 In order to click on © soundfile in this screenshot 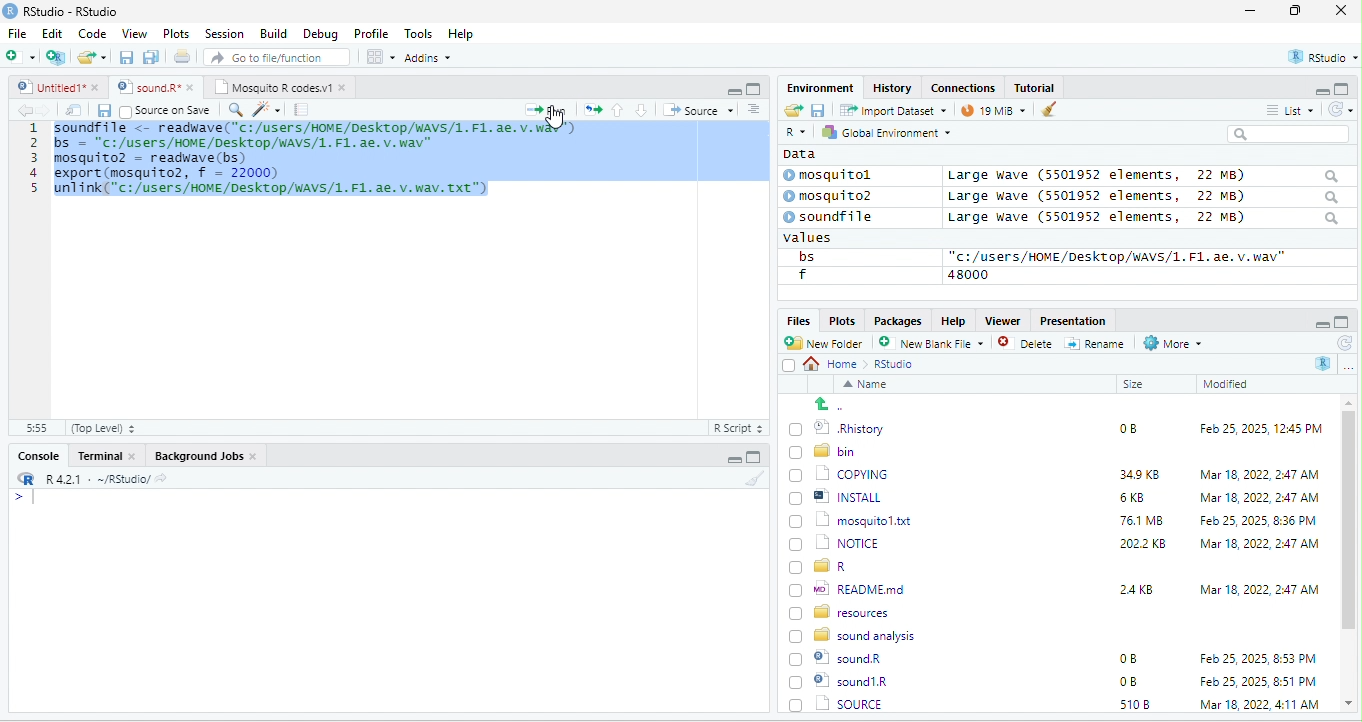, I will do `click(837, 216)`.